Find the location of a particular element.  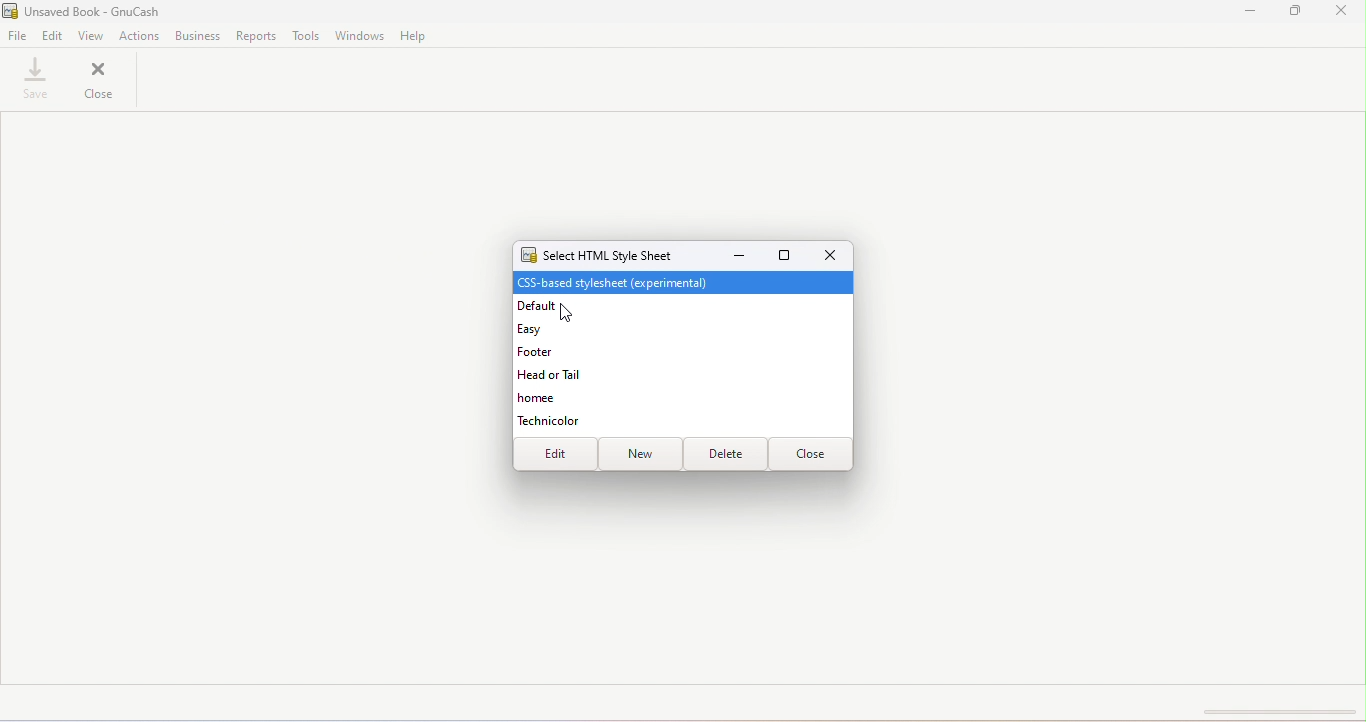

Maximize is located at coordinates (1299, 11).